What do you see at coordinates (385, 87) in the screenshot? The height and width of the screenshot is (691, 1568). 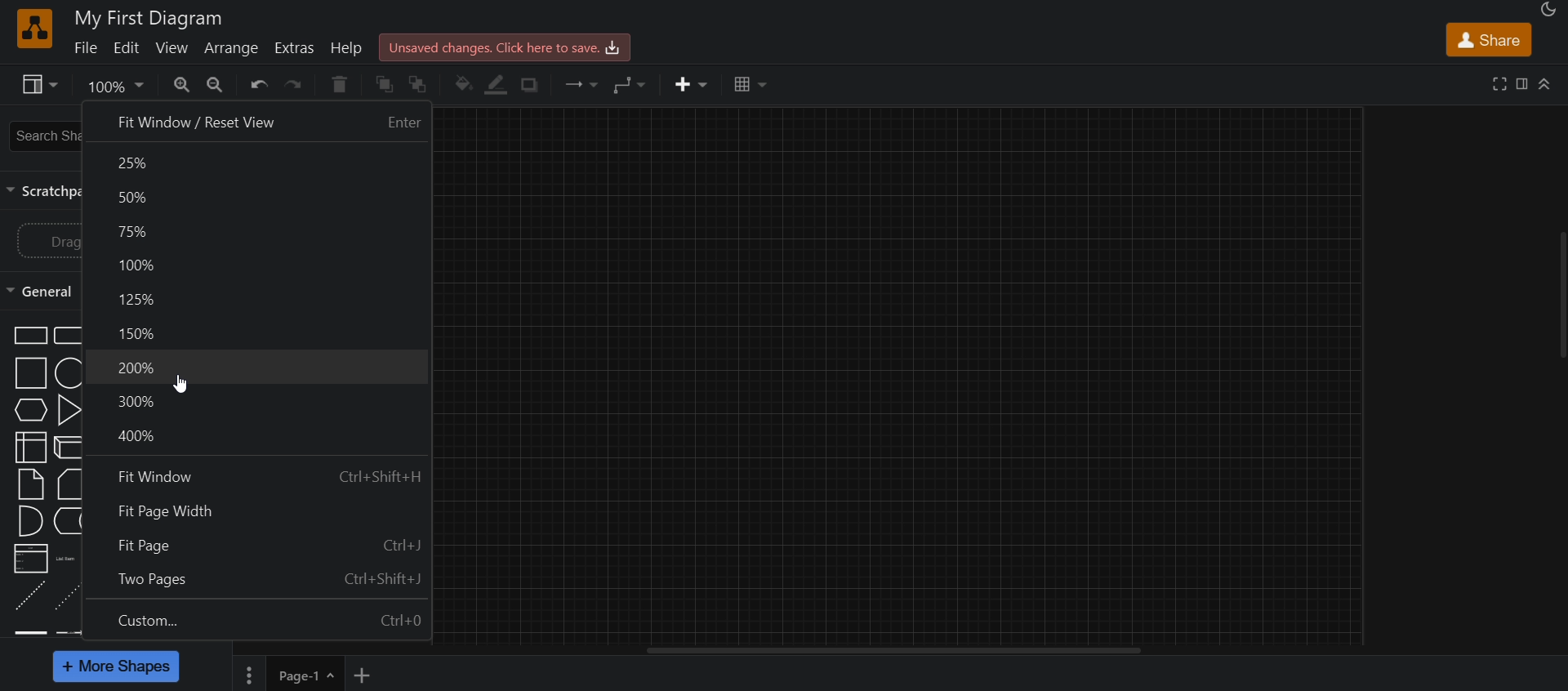 I see `to front` at bounding box center [385, 87].